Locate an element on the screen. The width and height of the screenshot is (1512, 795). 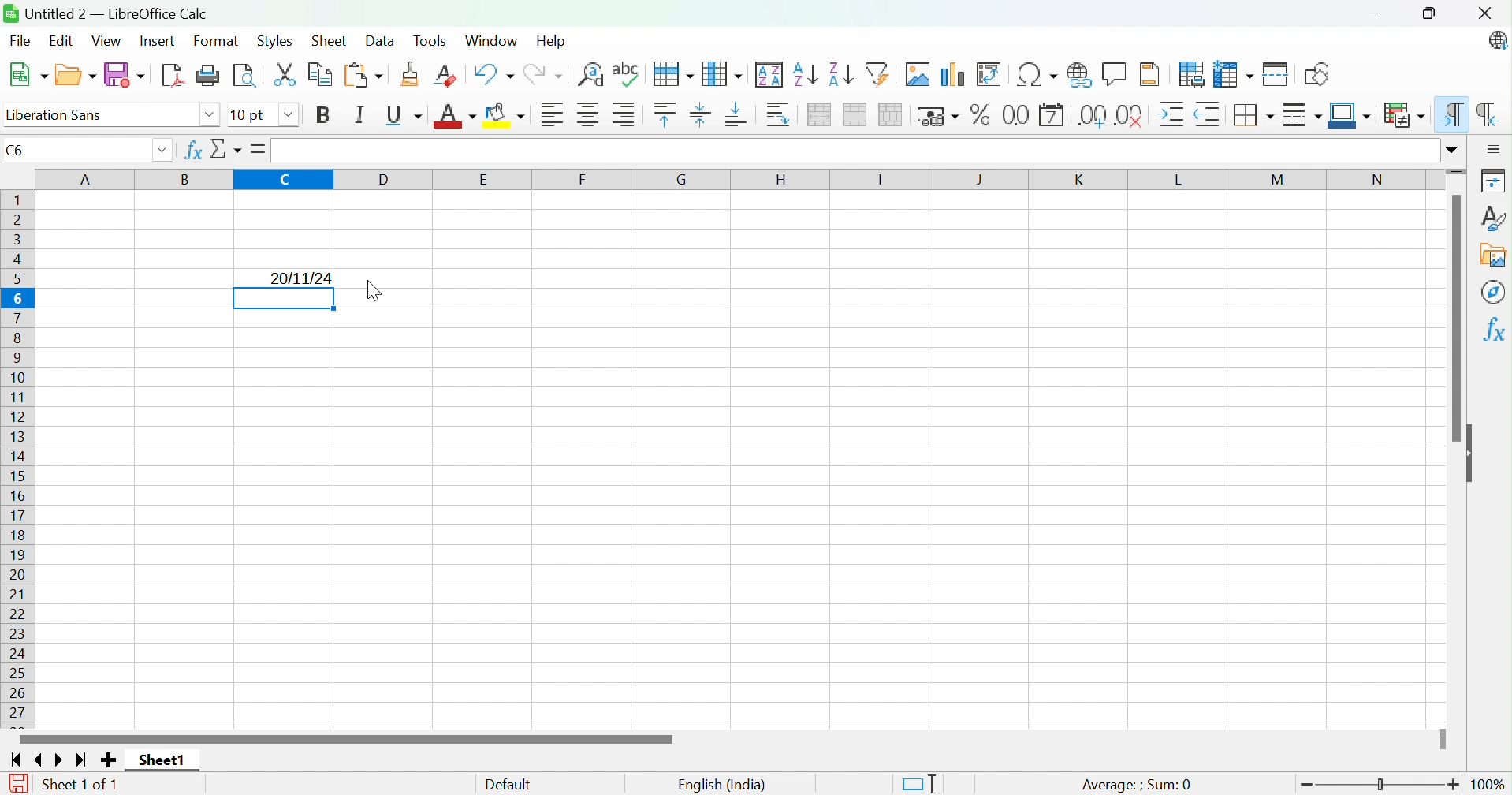
Insert special characters is located at coordinates (1035, 75).